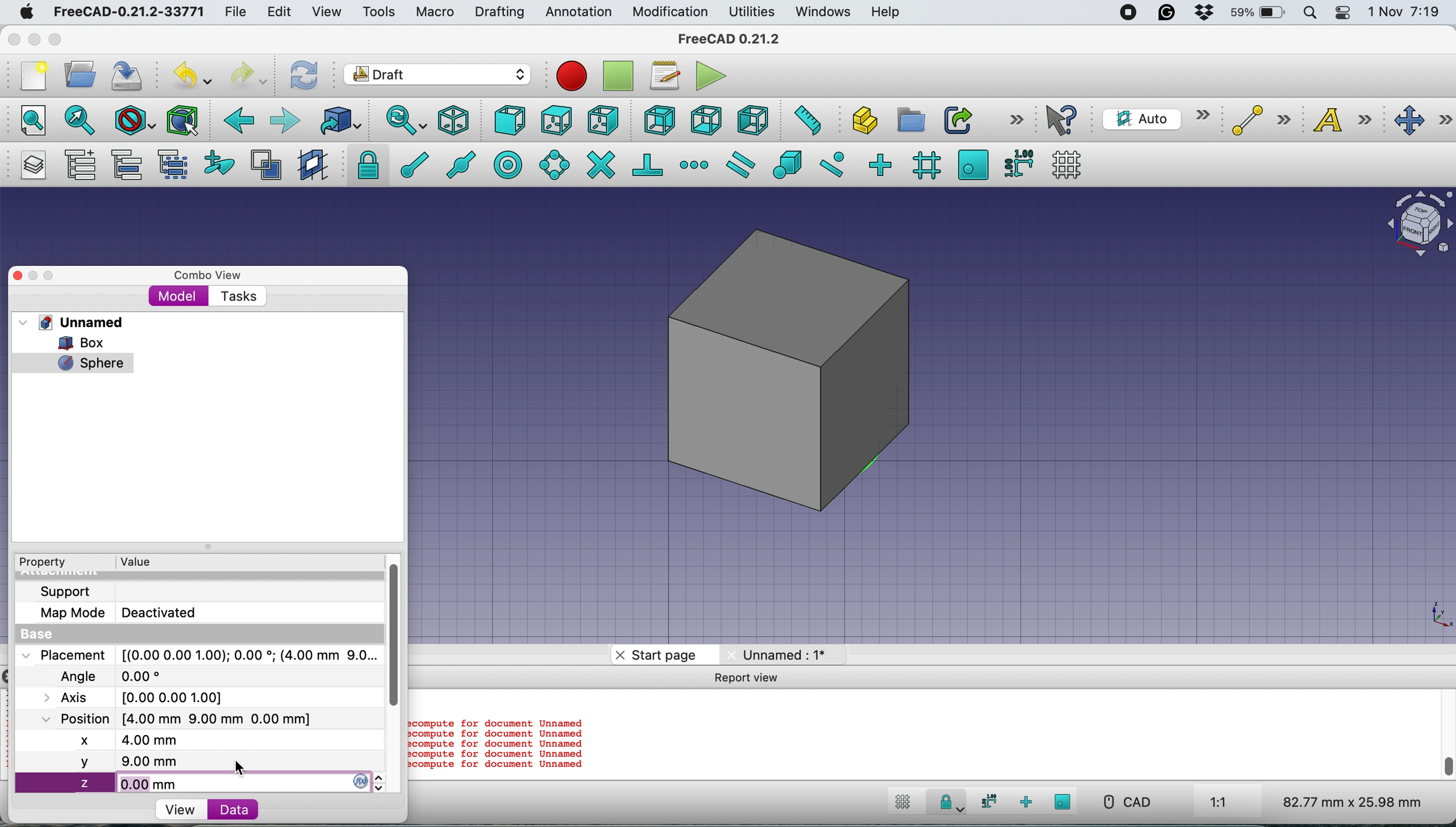 Image resolution: width=1456 pixels, height=827 pixels. Describe the element at coordinates (51, 562) in the screenshot. I see `property` at that location.